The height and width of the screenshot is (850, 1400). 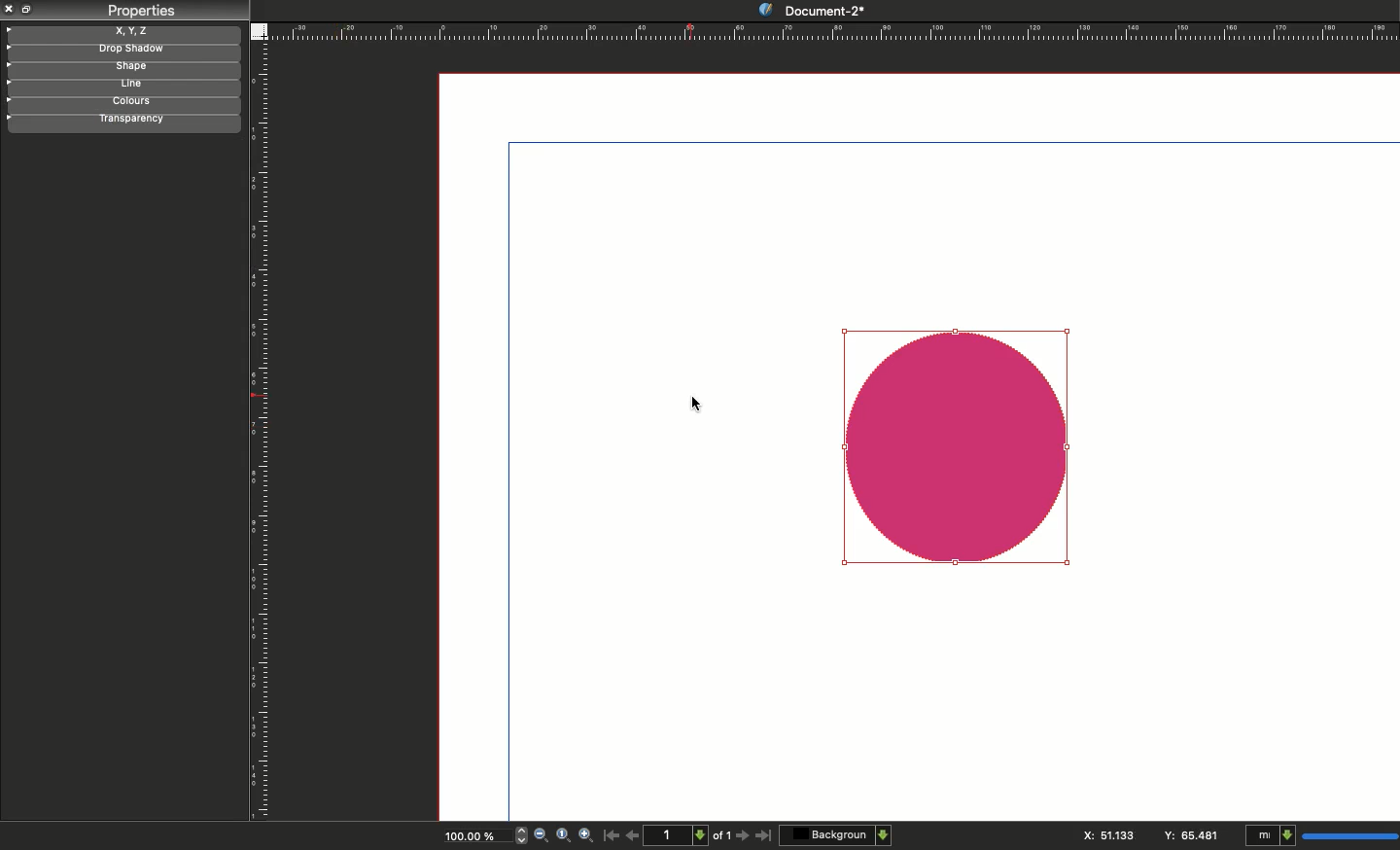 What do you see at coordinates (679, 834) in the screenshot?
I see `1` at bounding box center [679, 834].